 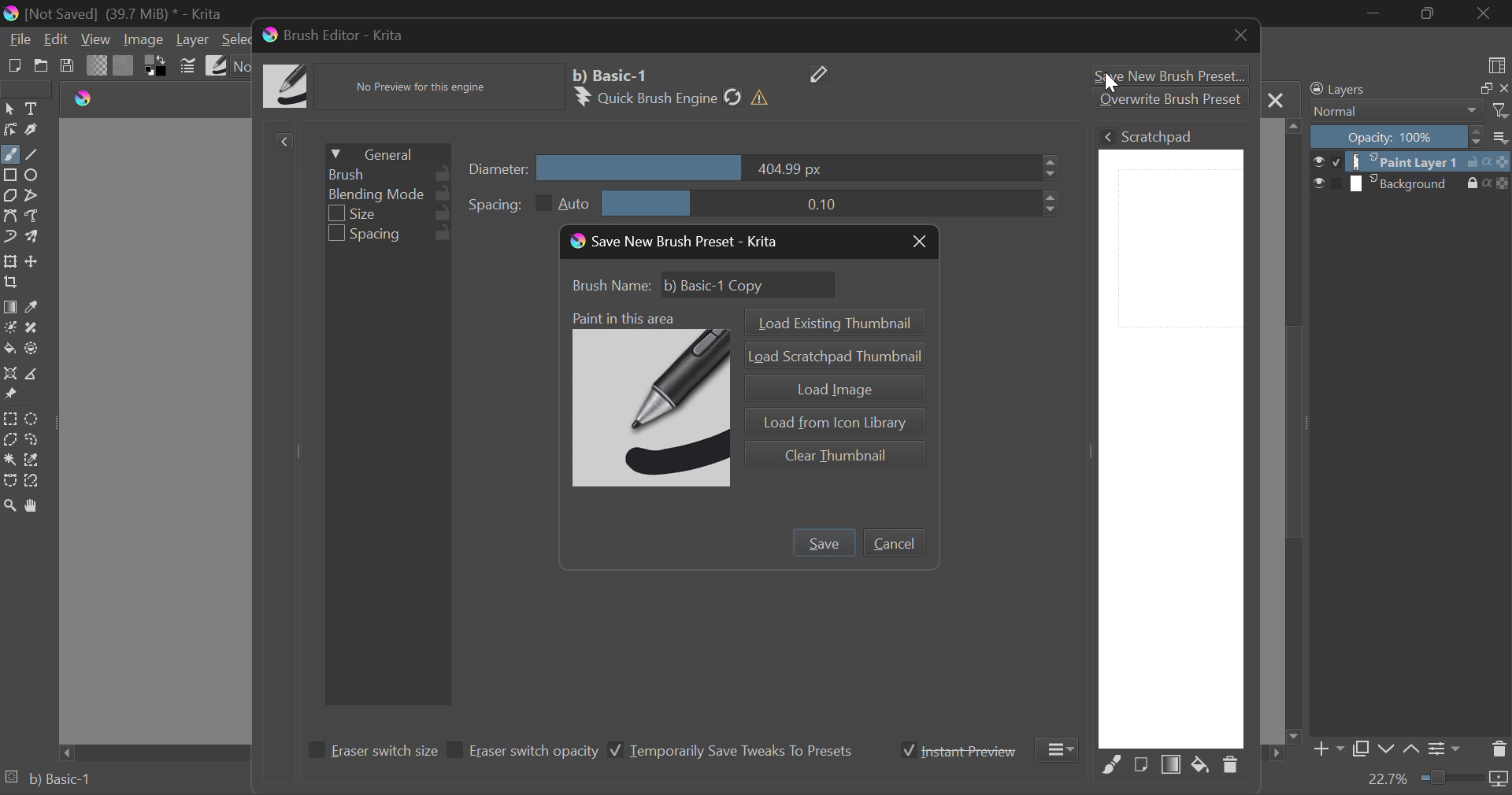 What do you see at coordinates (836, 452) in the screenshot?
I see `Clear Thumbnail` at bounding box center [836, 452].